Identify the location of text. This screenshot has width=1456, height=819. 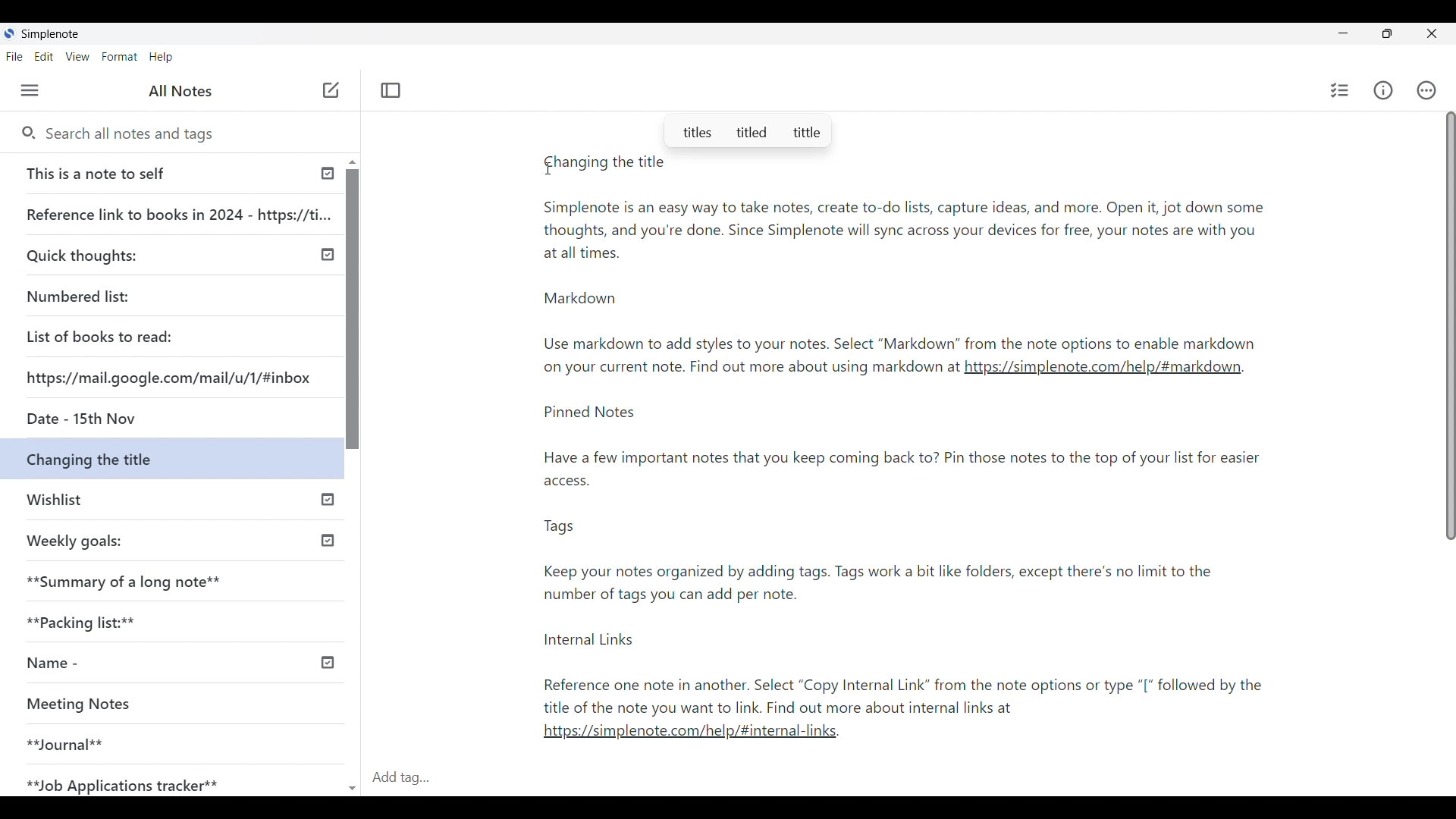
(748, 369).